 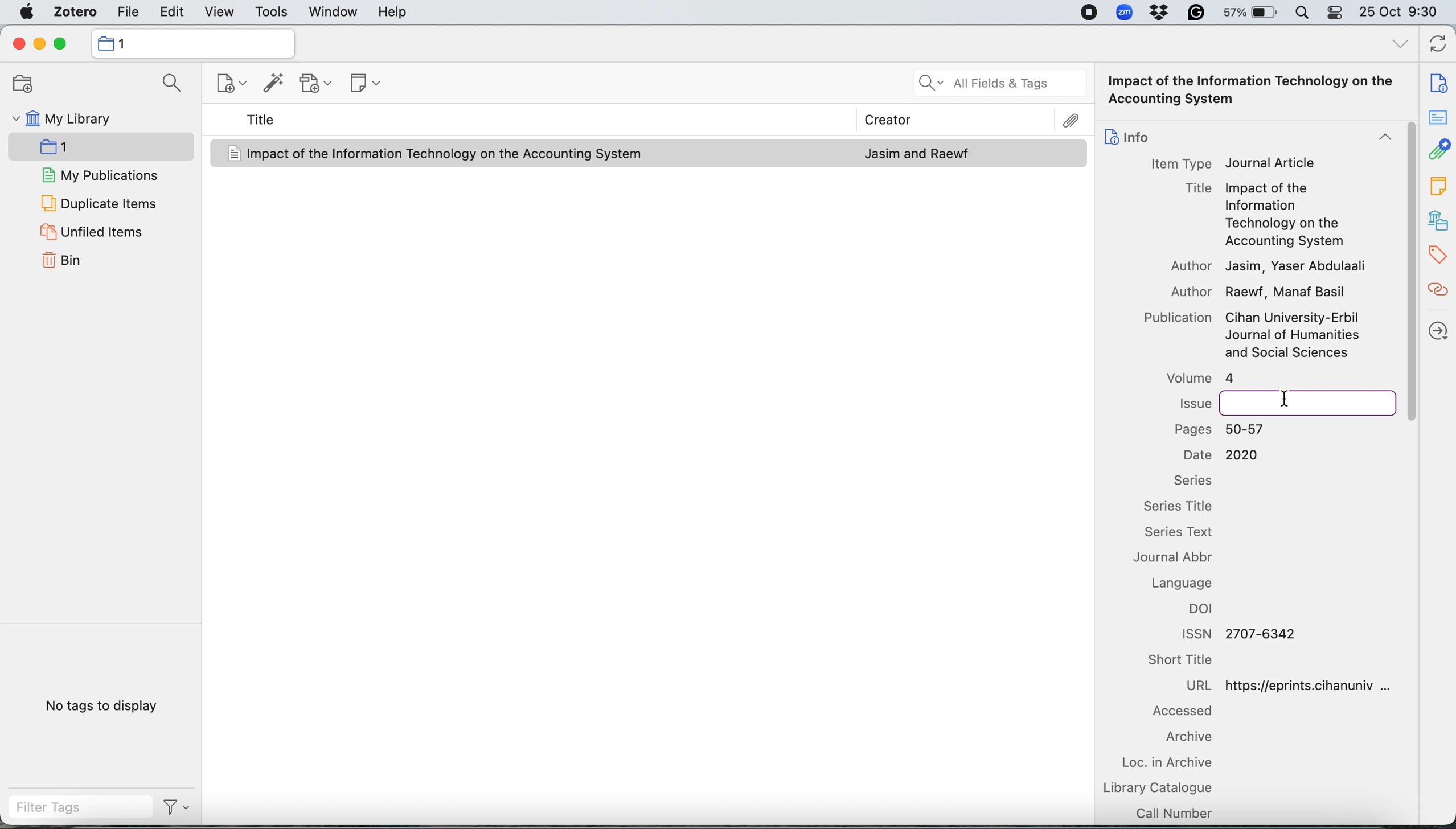 What do you see at coordinates (1124, 12) in the screenshot?
I see `zoom` at bounding box center [1124, 12].